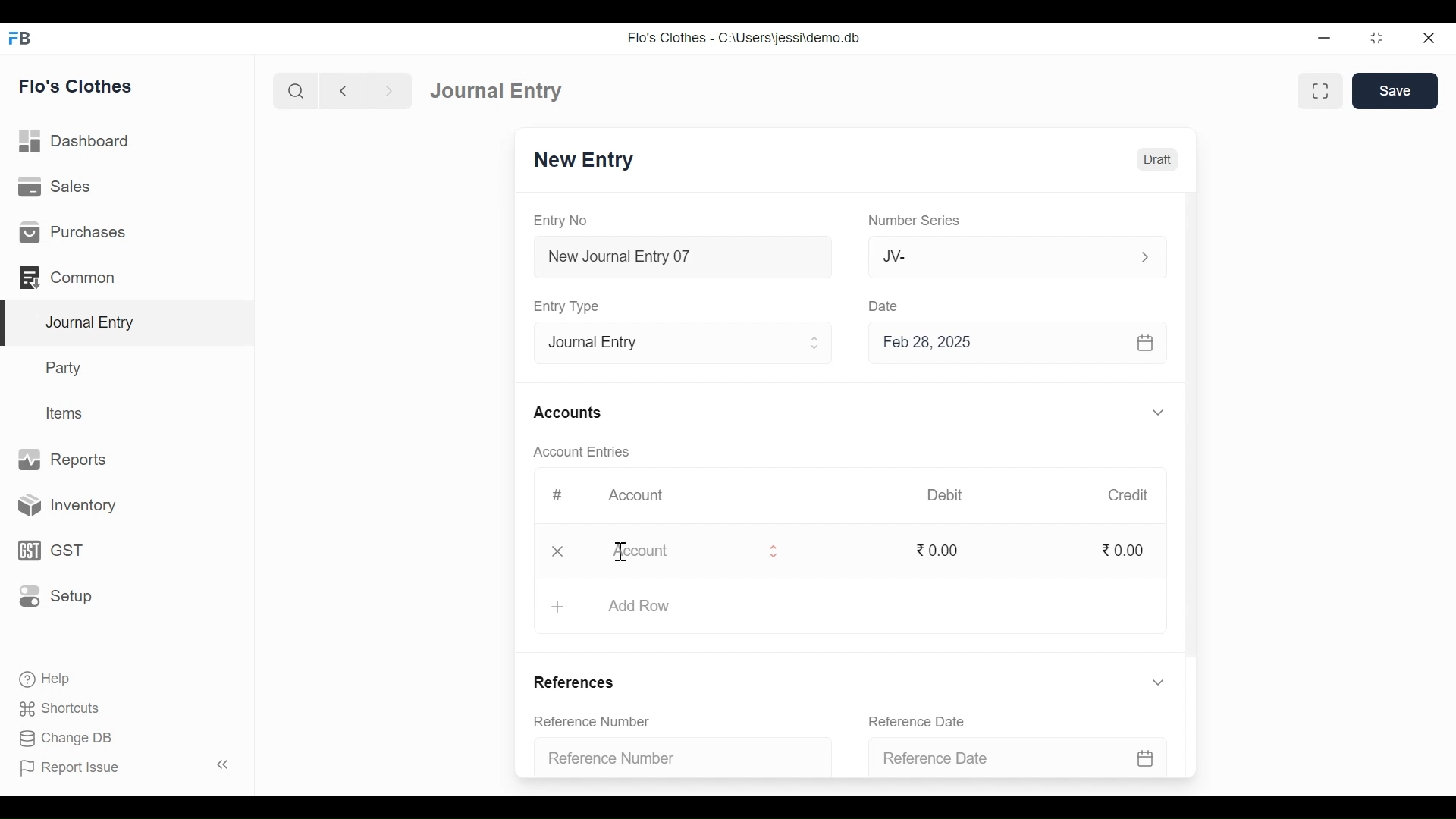  I want to click on Entry No, so click(560, 220).